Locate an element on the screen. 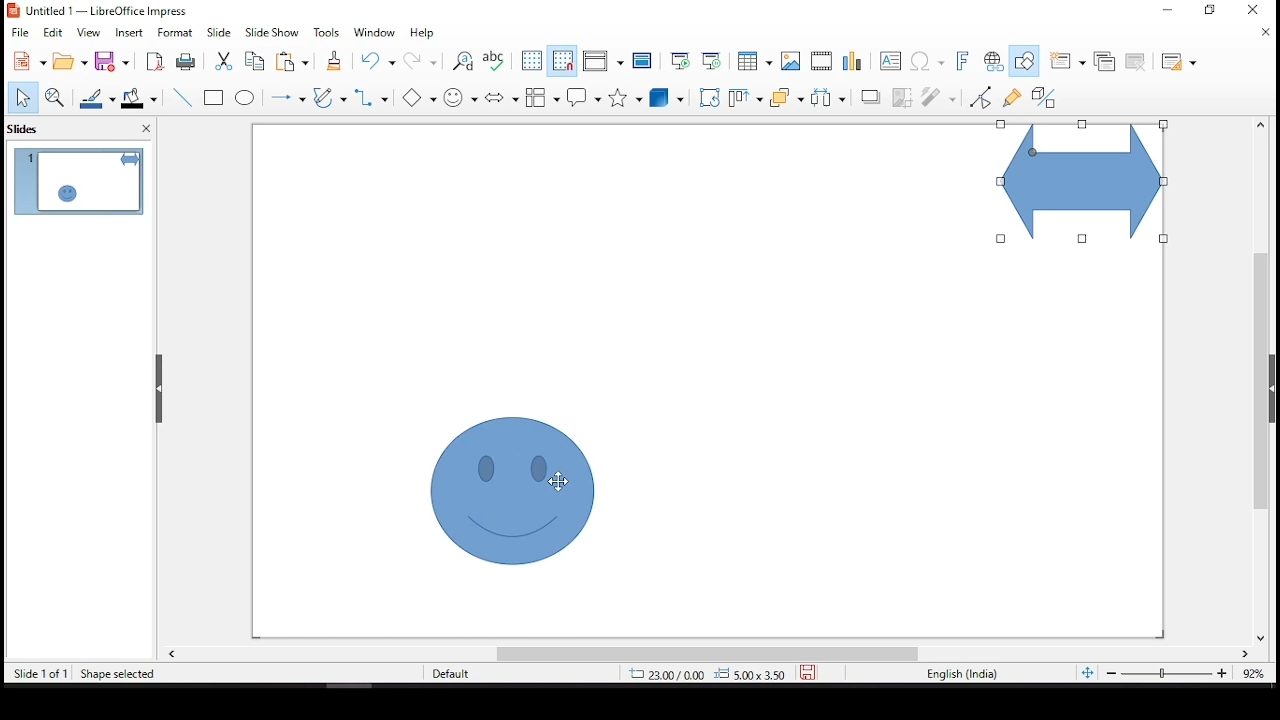 This screenshot has width=1280, height=720. undo is located at coordinates (382, 61).